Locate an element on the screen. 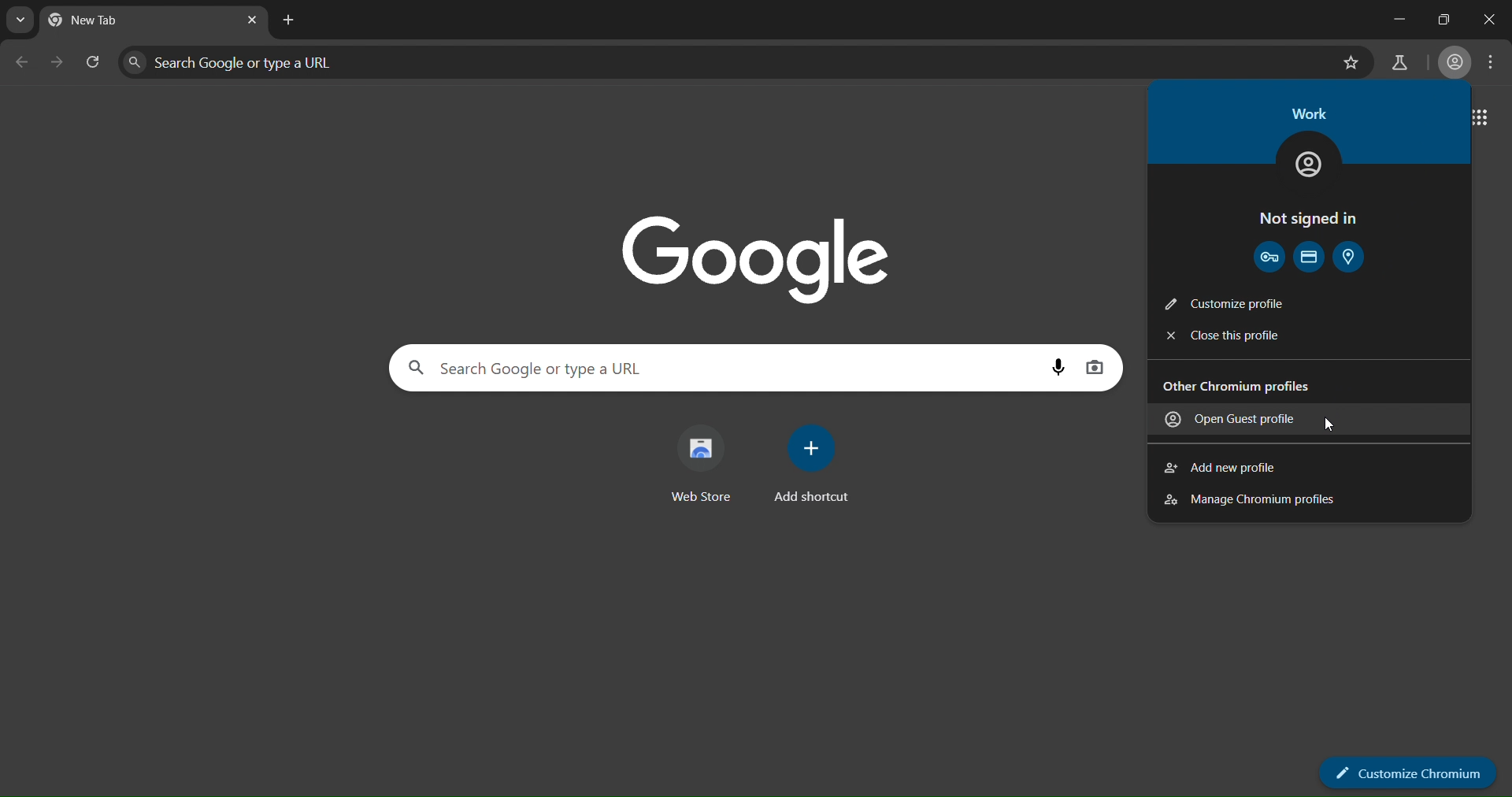 The width and height of the screenshot is (1512, 797). search labs is located at coordinates (1395, 61).